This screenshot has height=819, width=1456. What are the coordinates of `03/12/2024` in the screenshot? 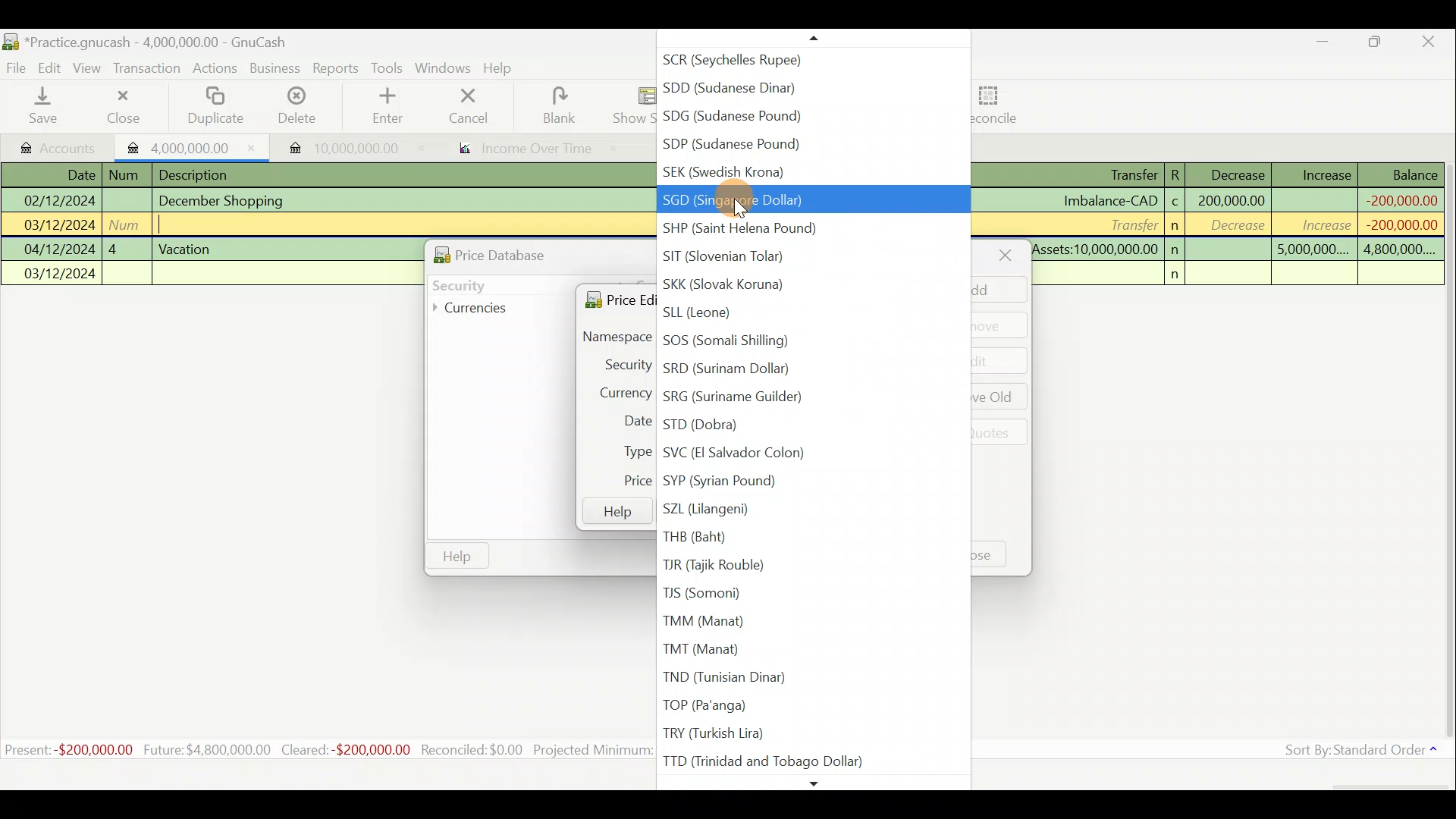 It's located at (61, 275).